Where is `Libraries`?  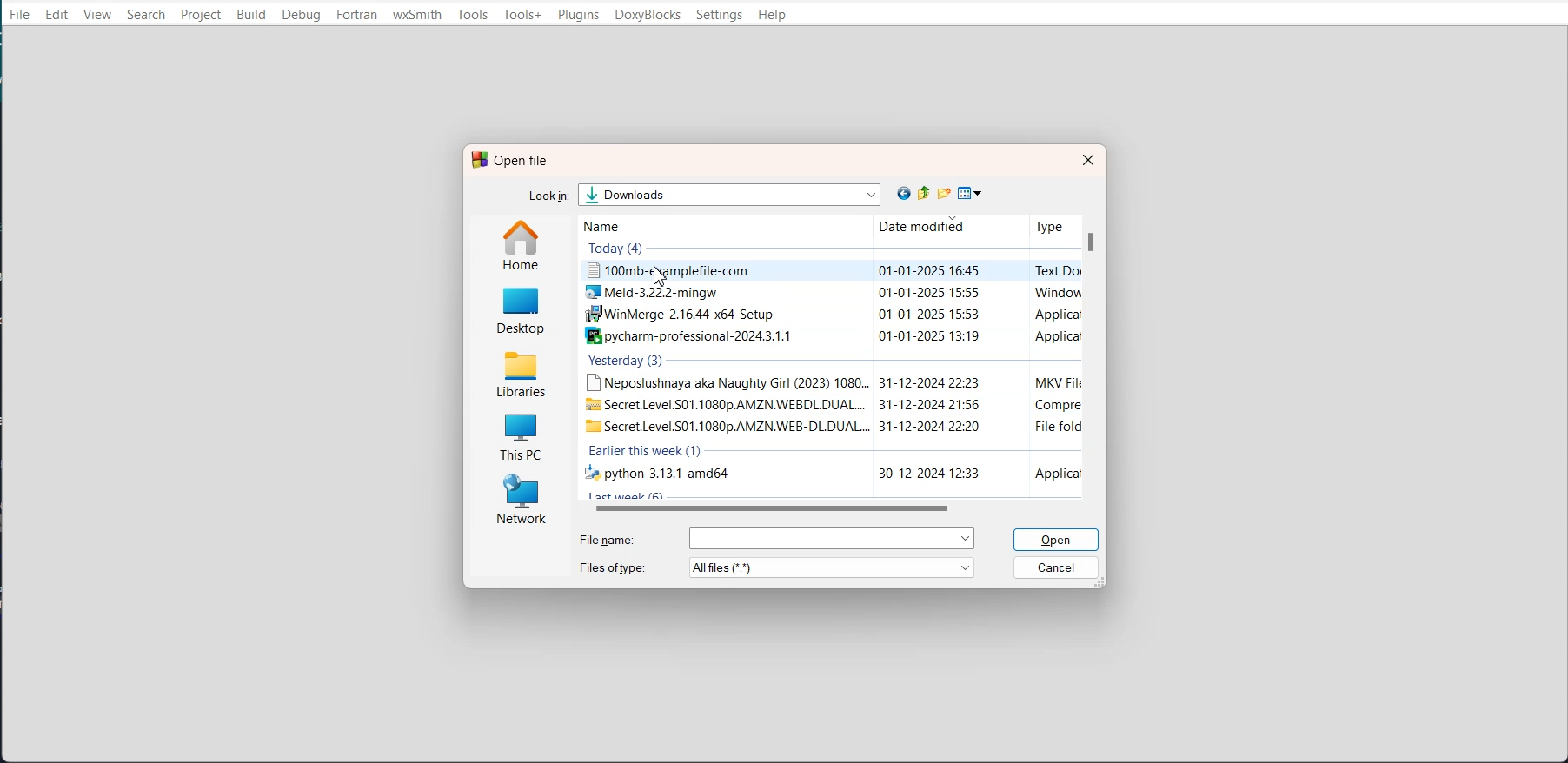 Libraries is located at coordinates (522, 371).